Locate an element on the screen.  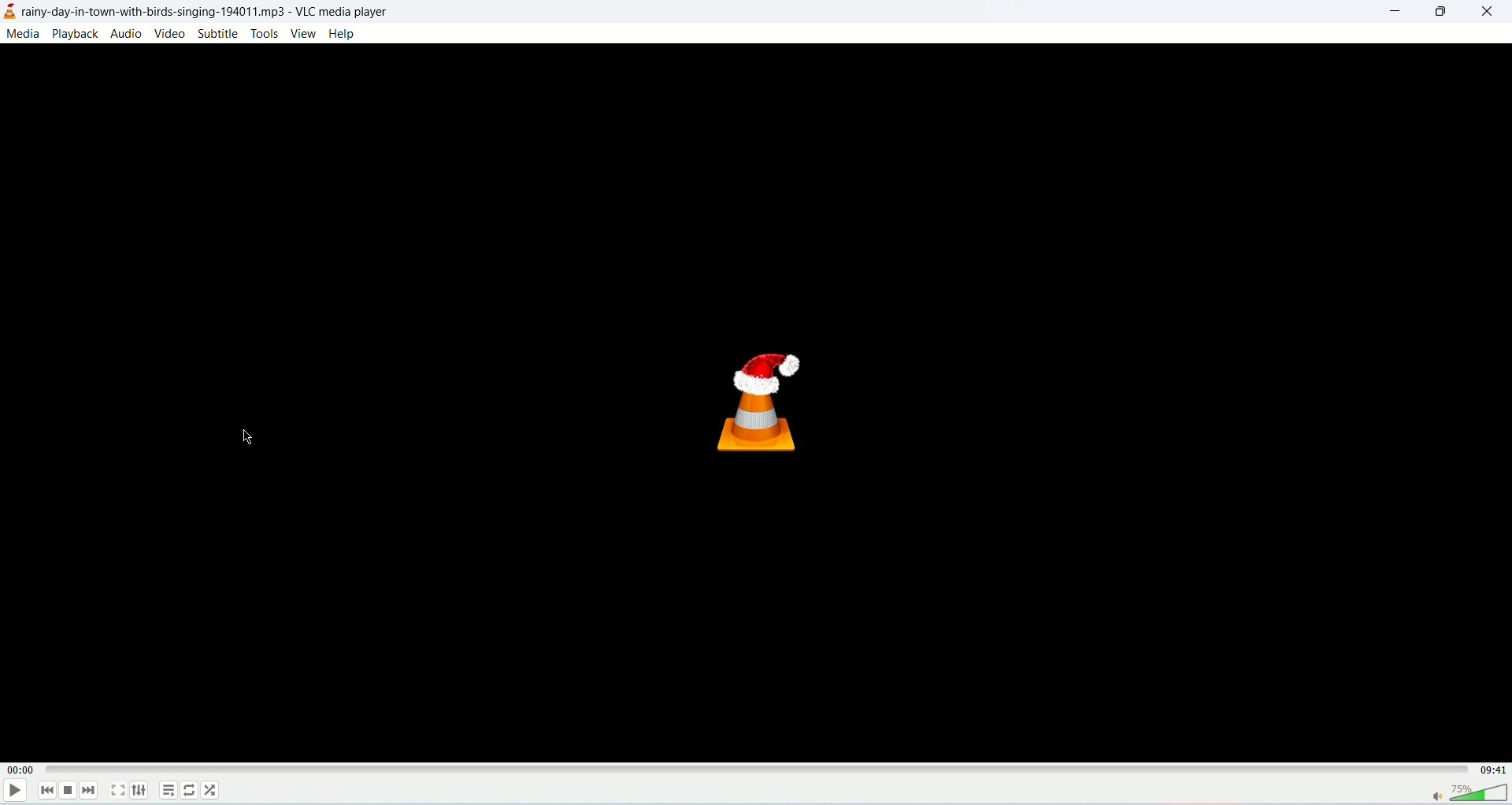
shuffle is located at coordinates (209, 791).